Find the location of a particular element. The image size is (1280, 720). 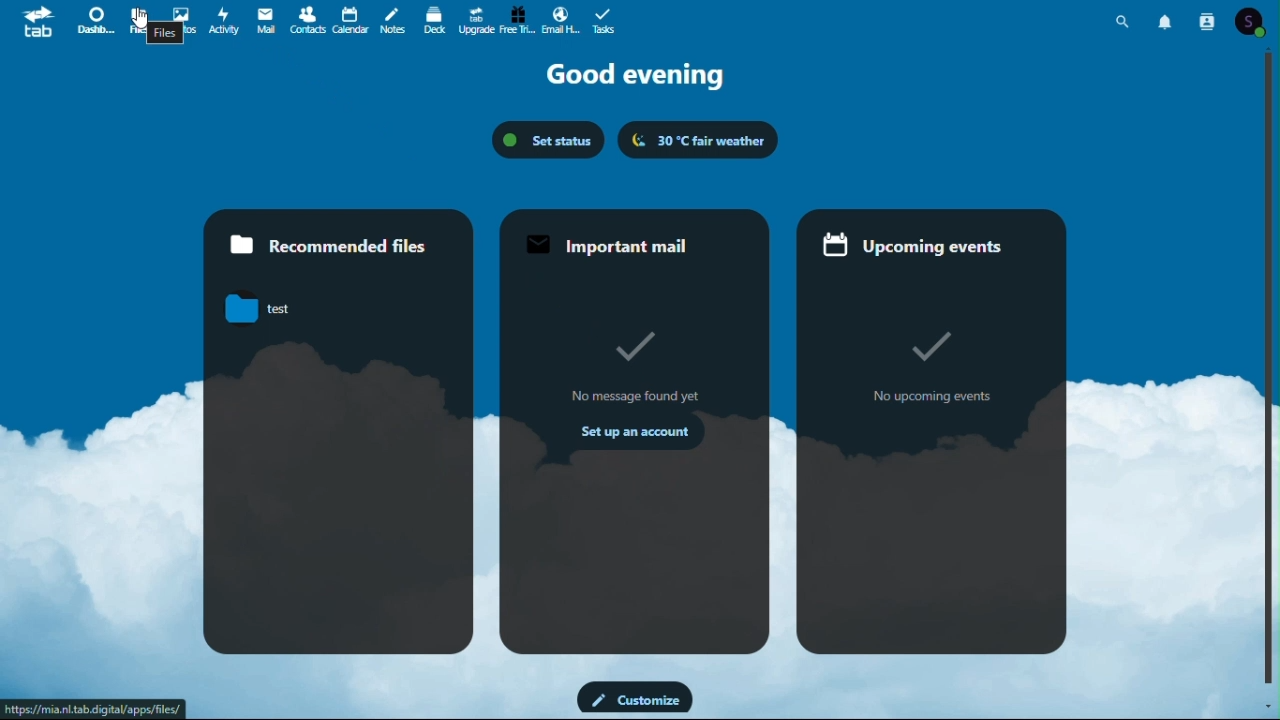

cursor is located at coordinates (143, 22).